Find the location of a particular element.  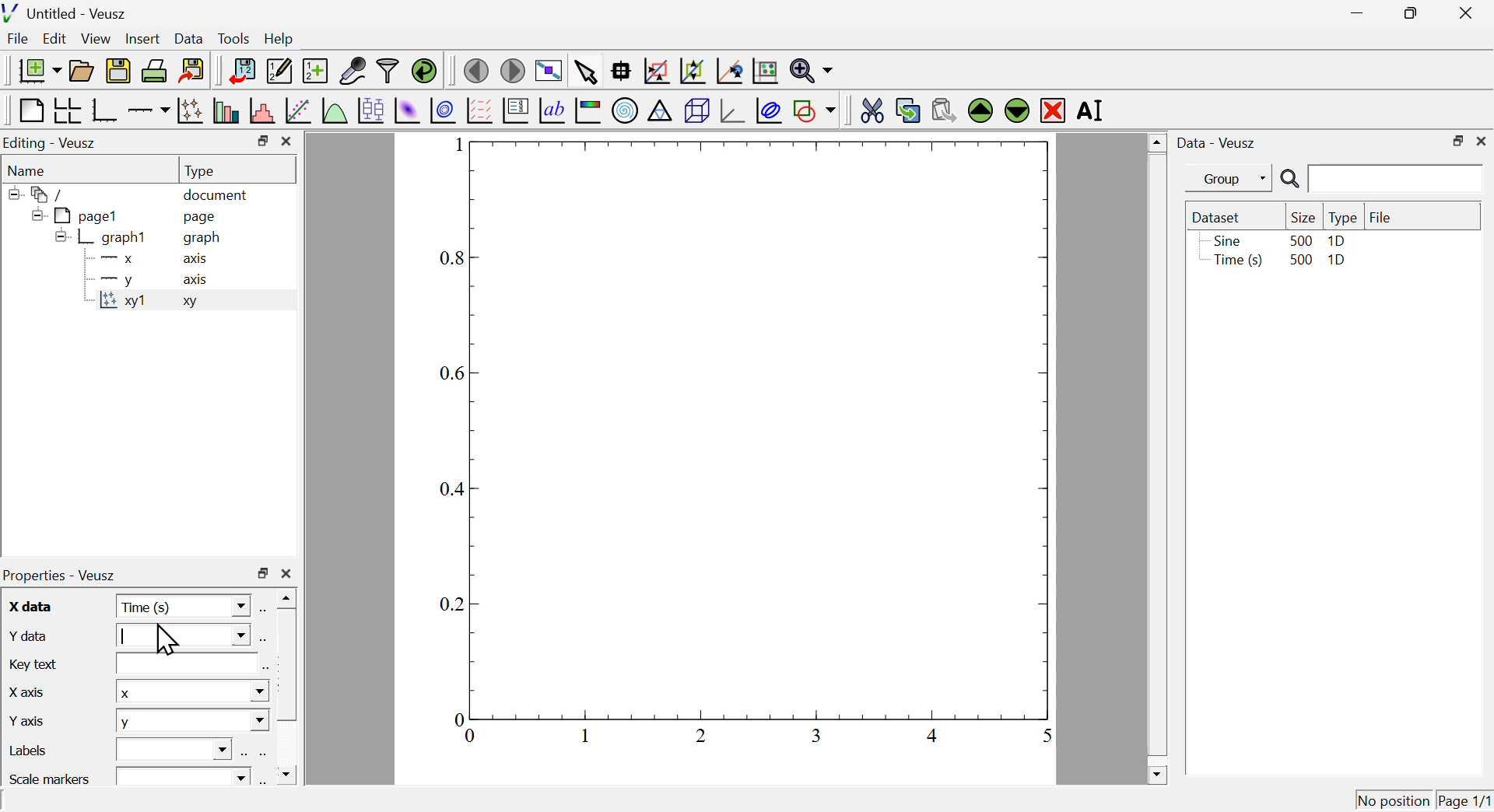

properties veusz is located at coordinates (65, 575).